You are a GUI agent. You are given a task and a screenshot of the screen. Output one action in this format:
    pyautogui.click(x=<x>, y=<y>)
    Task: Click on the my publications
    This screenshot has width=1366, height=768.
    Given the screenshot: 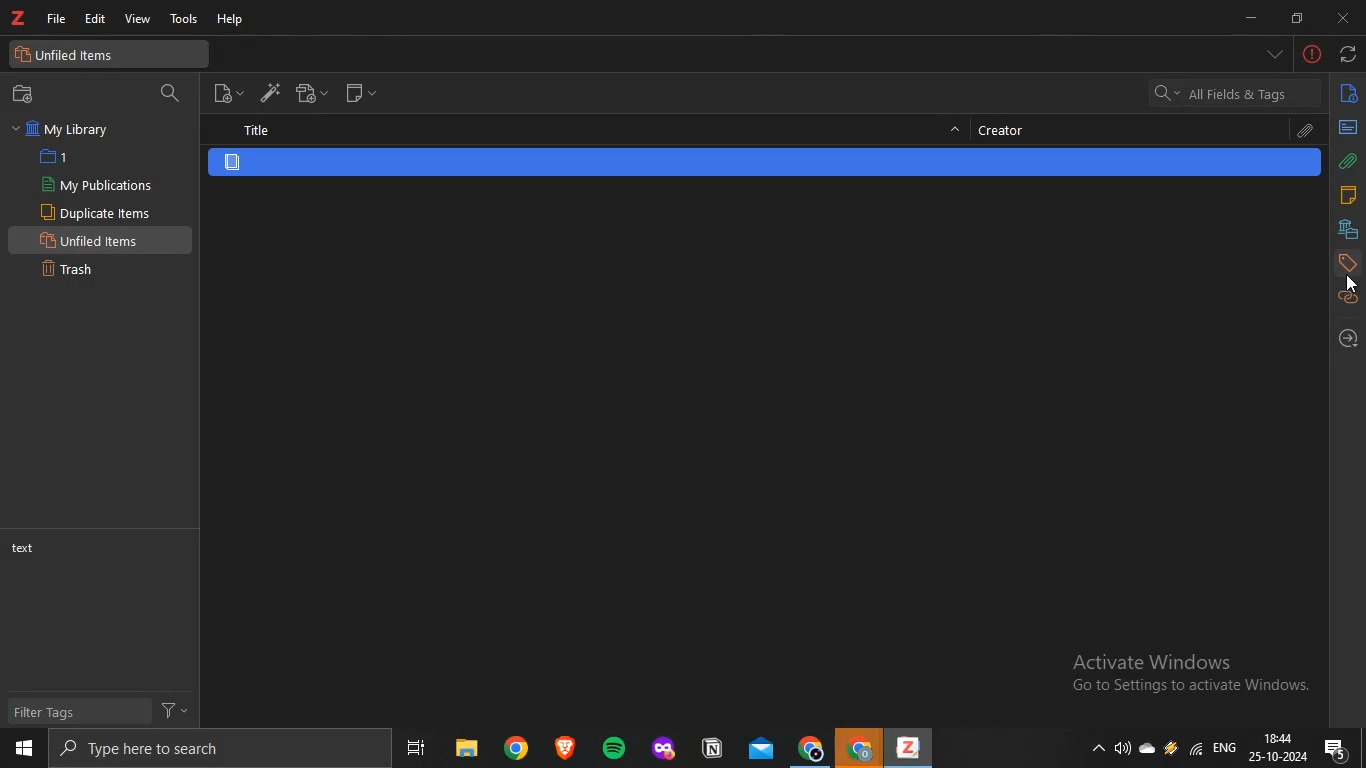 What is the action you would take?
    pyautogui.click(x=95, y=183)
    